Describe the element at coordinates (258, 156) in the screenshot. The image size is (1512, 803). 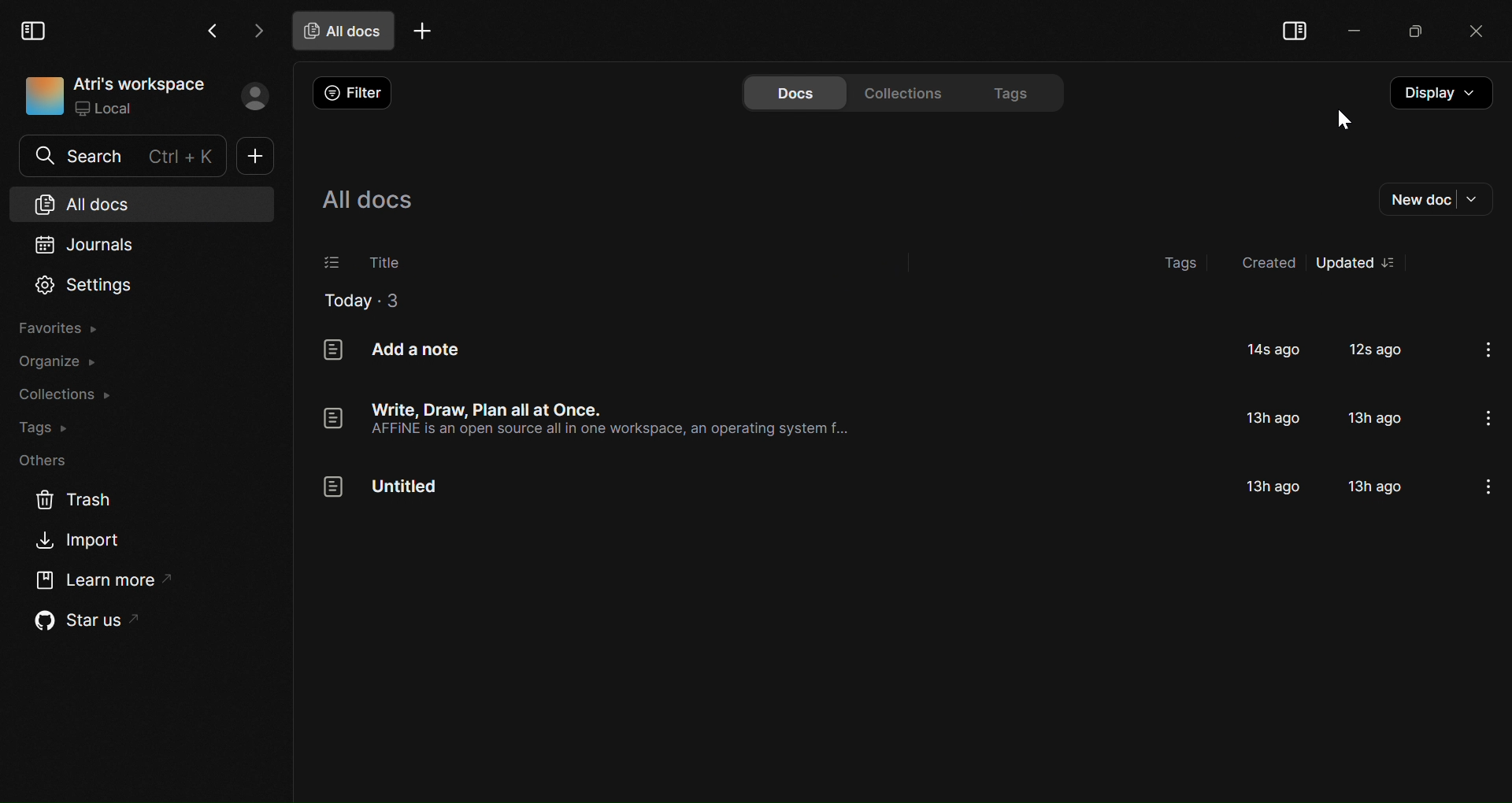
I see `New doc` at that location.